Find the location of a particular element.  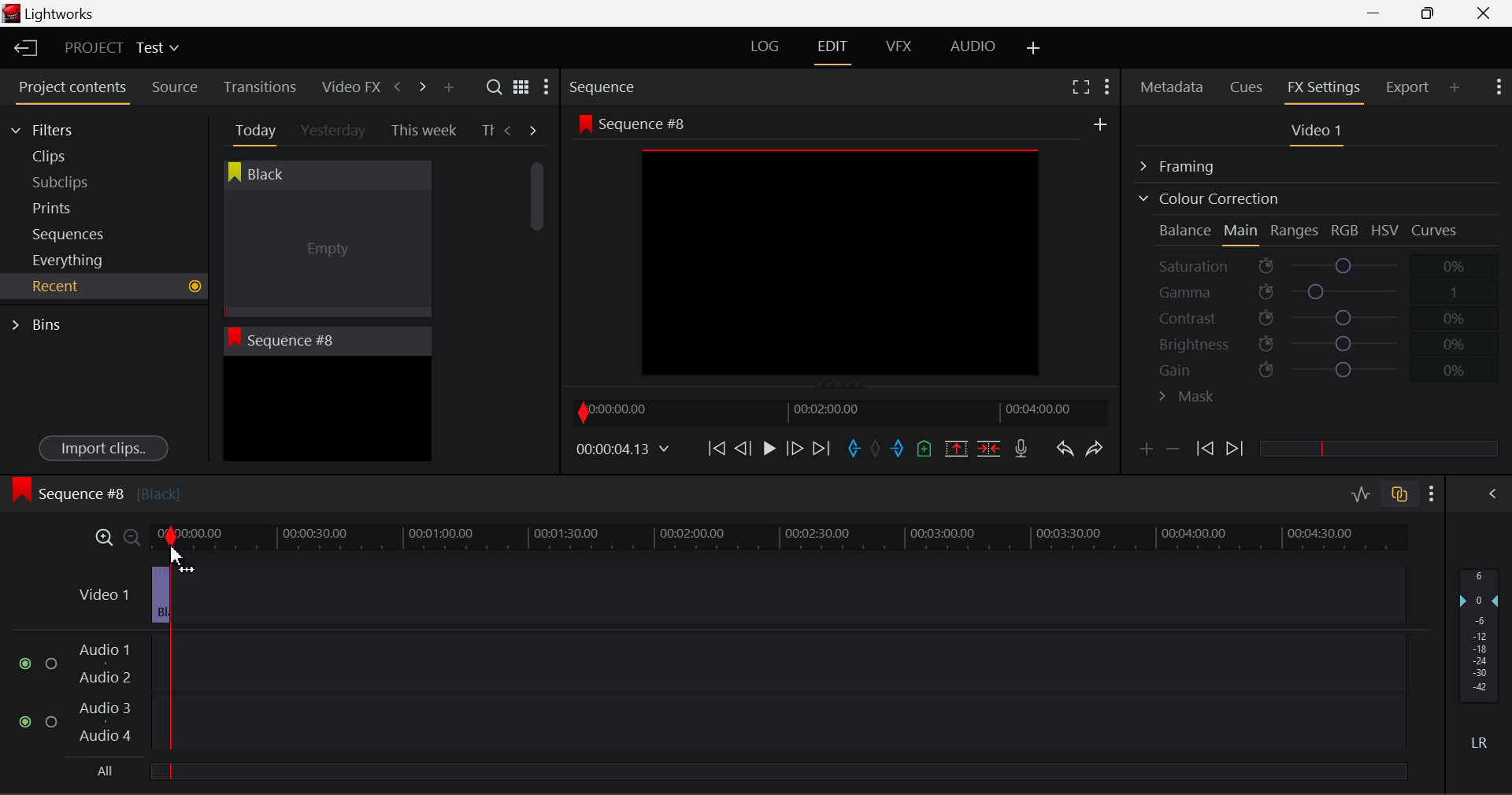

FX Settings Panel Open is located at coordinates (1325, 89).